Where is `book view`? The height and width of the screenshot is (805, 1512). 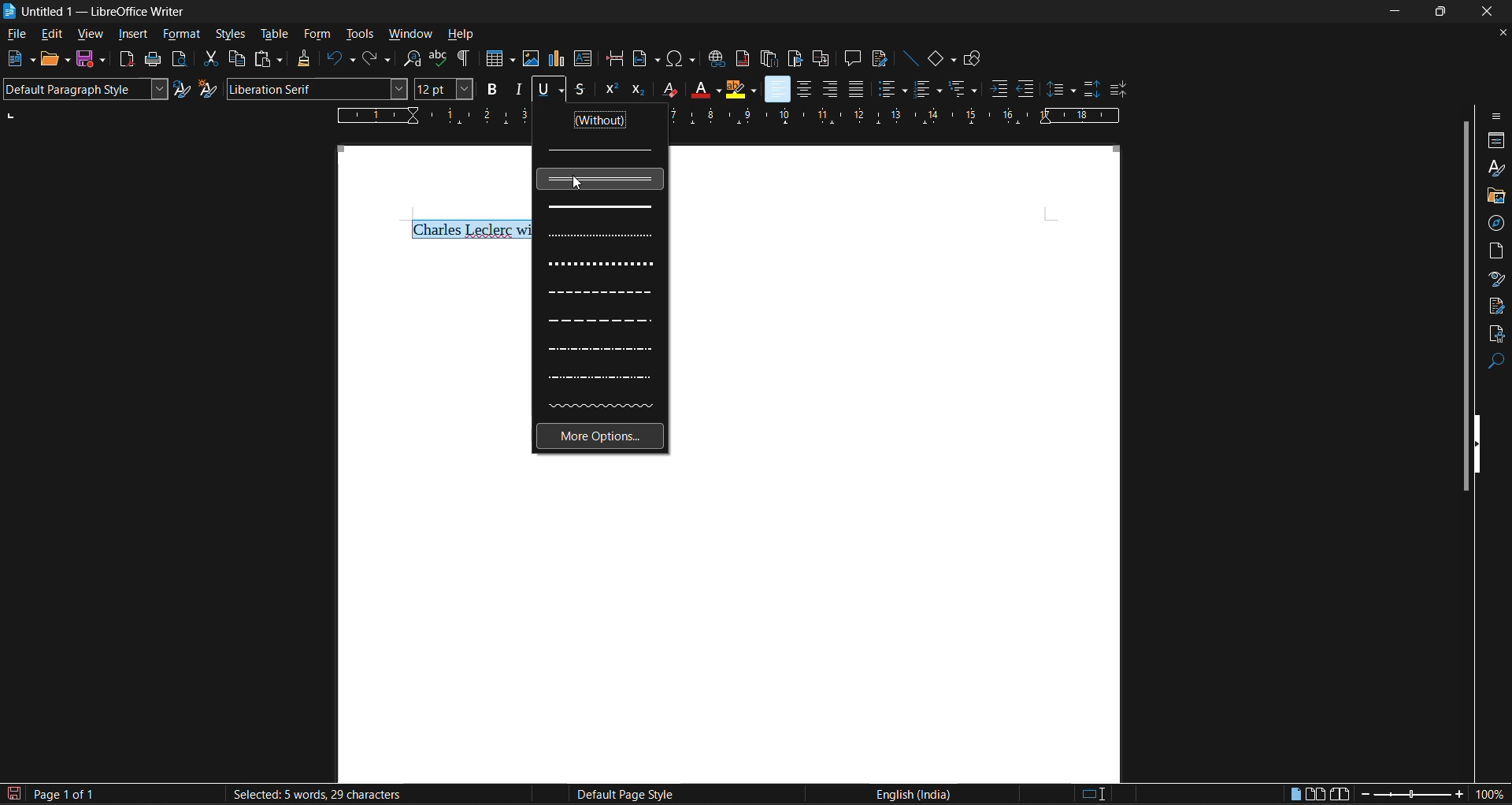
book view is located at coordinates (1340, 796).